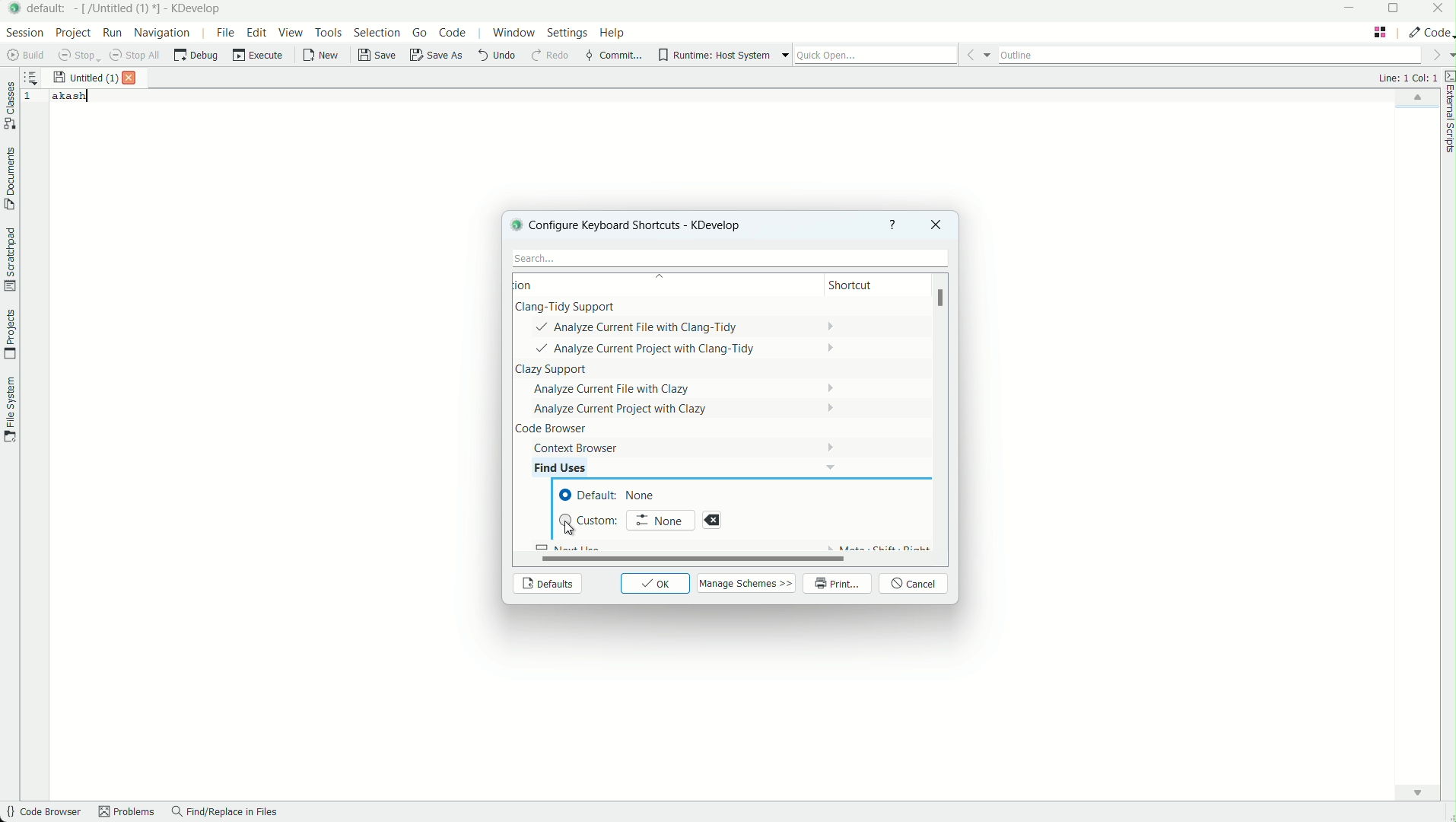  I want to click on cursor, so click(568, 530).